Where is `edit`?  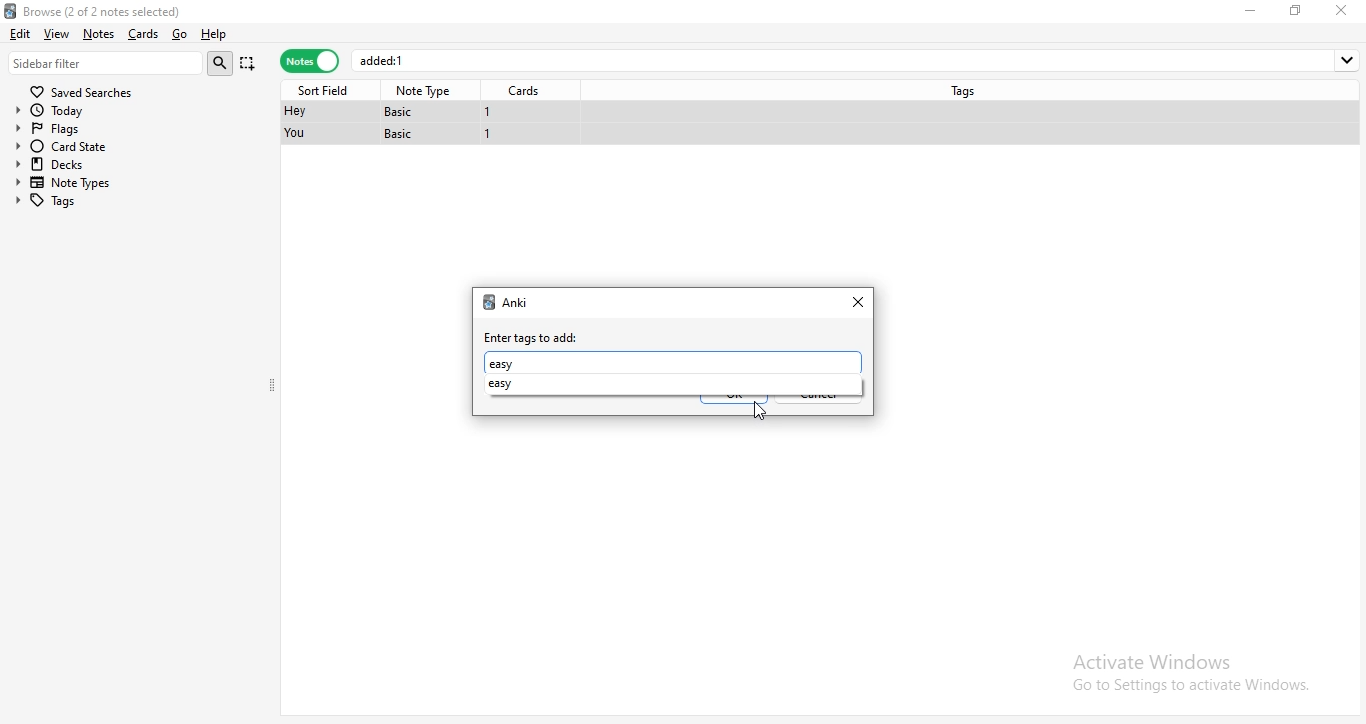 edit is located at coordinates (19, 32).